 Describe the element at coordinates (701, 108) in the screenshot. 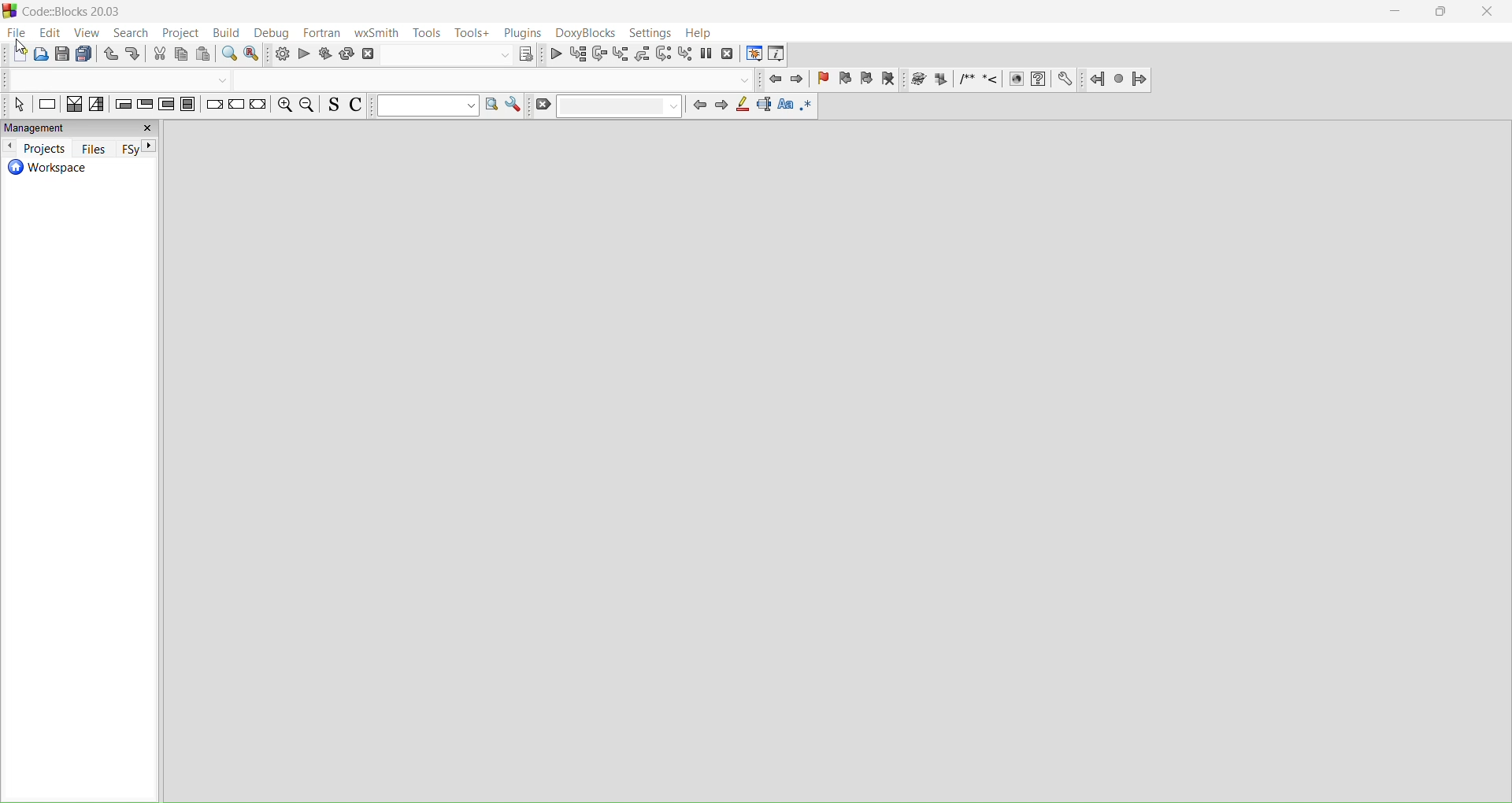

I see `previous` at that location.